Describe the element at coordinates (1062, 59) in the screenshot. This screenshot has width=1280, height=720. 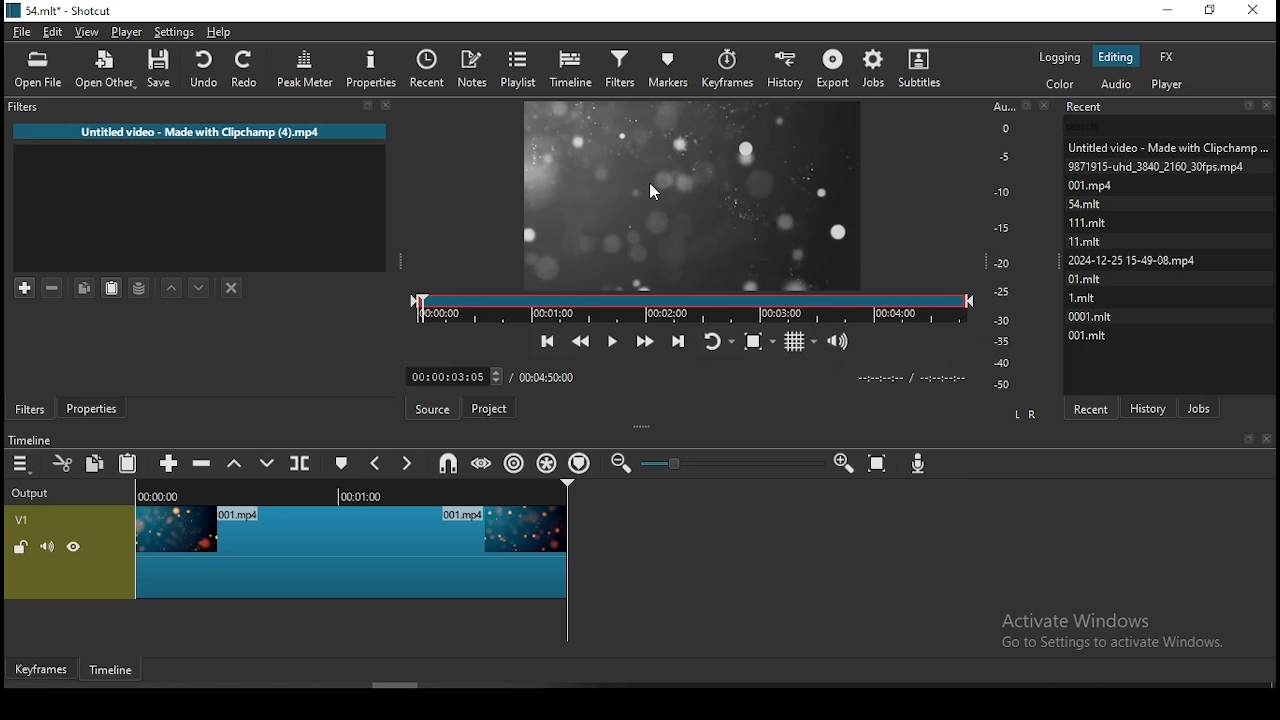
I see `logging` at that location.